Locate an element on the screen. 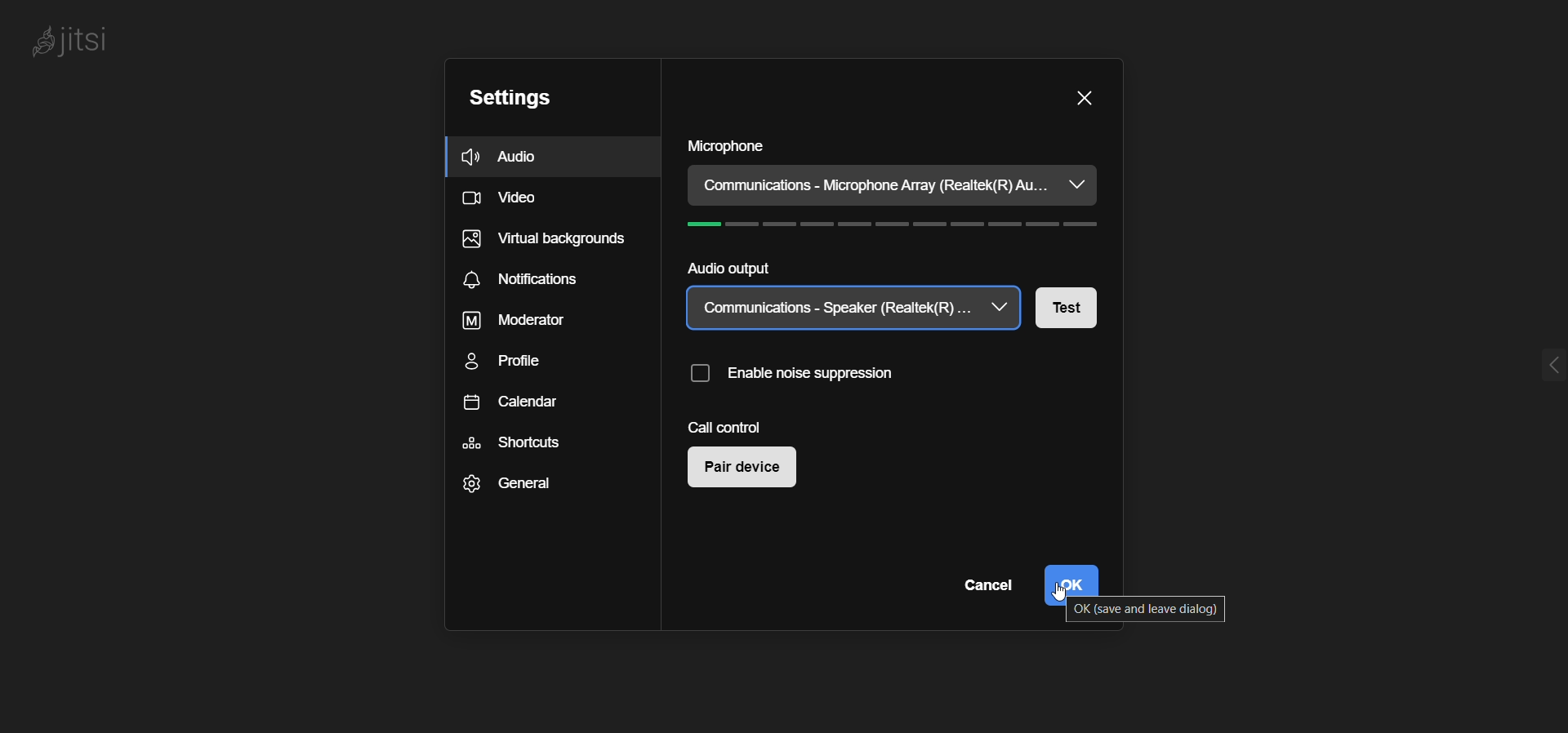  video is located at coordinates (505, 201).